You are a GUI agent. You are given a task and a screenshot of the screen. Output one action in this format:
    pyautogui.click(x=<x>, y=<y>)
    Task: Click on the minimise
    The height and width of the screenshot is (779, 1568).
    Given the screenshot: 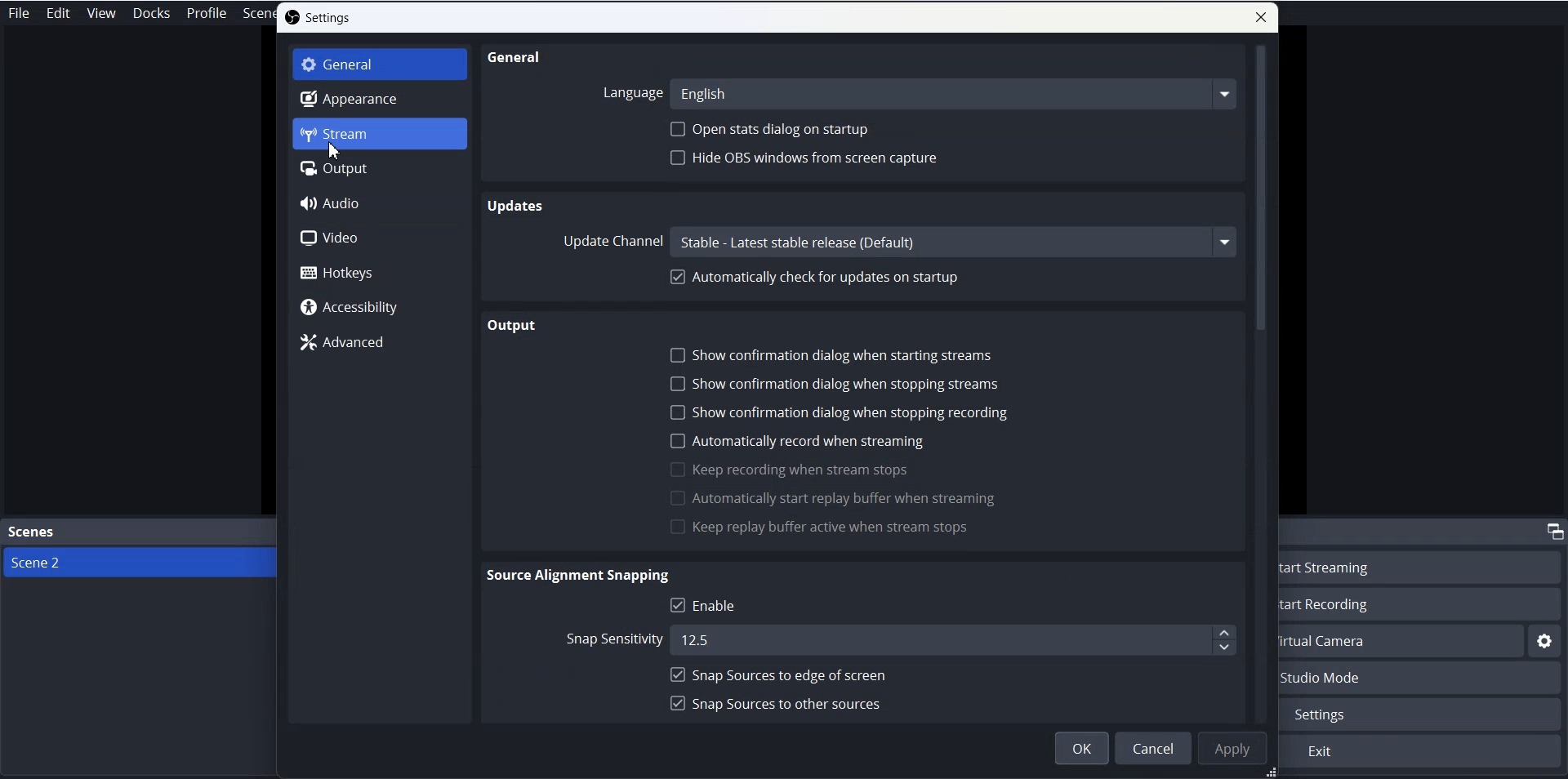 What is the action you would take?
    pyautogui.click(x=1552, y=530)
    